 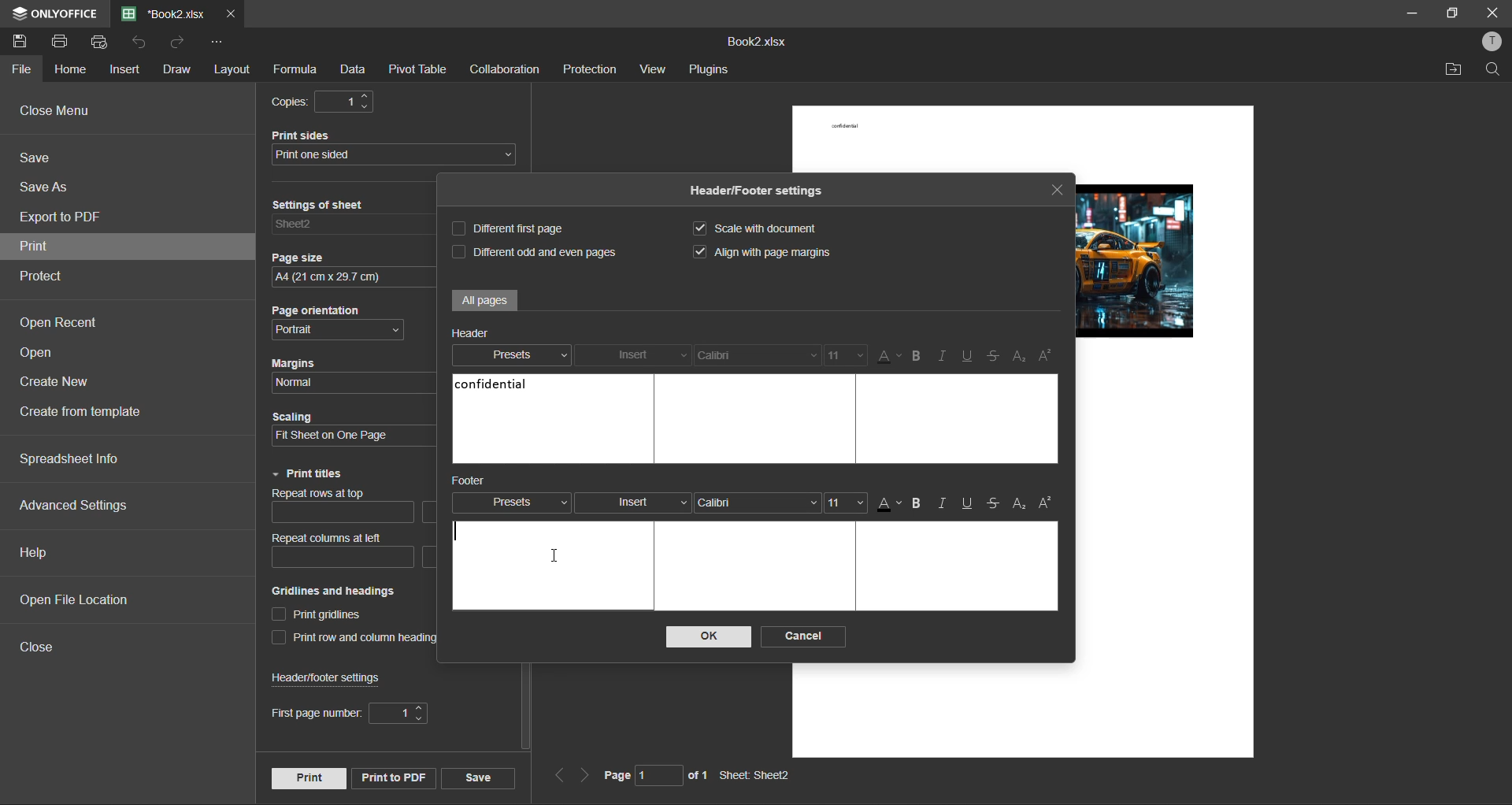 I want to click on repeat columns at left, so click(x=351, y=550).